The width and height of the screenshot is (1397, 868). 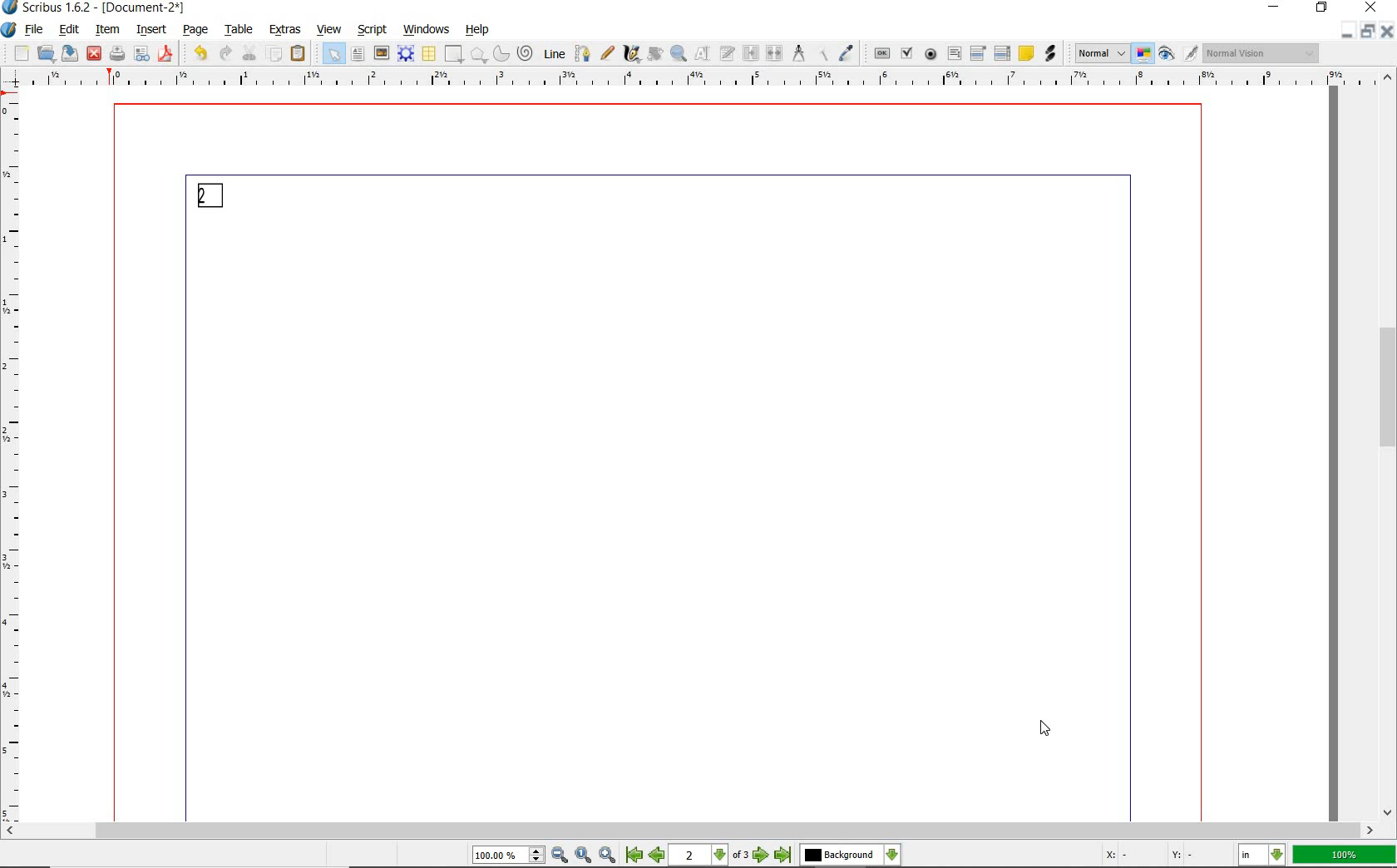 What do you see at coordinates (107, 30) in the screenshot?
I see `item` at bounding box center [107, 30].